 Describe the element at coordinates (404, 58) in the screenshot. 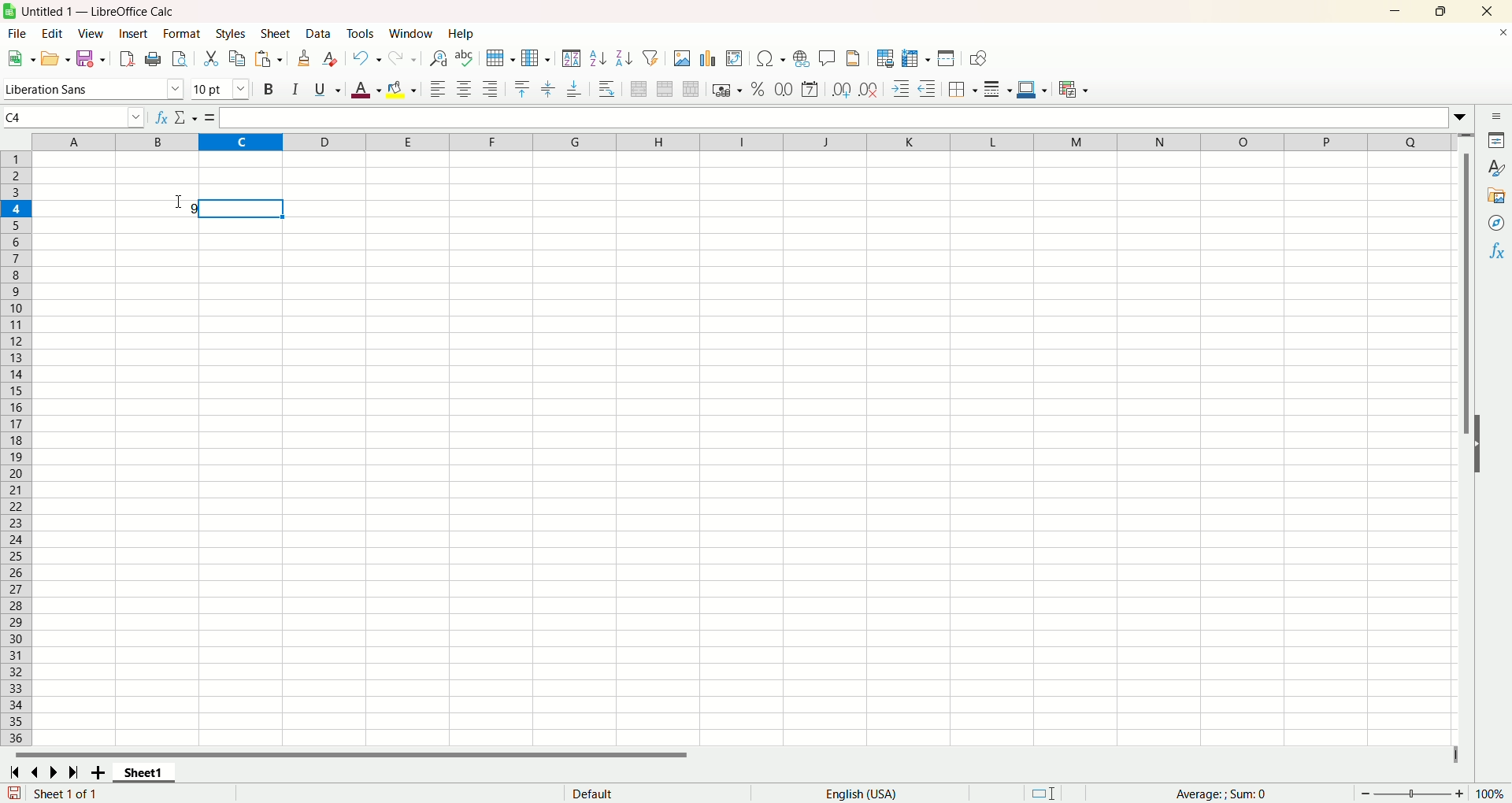

I see `redo` at that location.